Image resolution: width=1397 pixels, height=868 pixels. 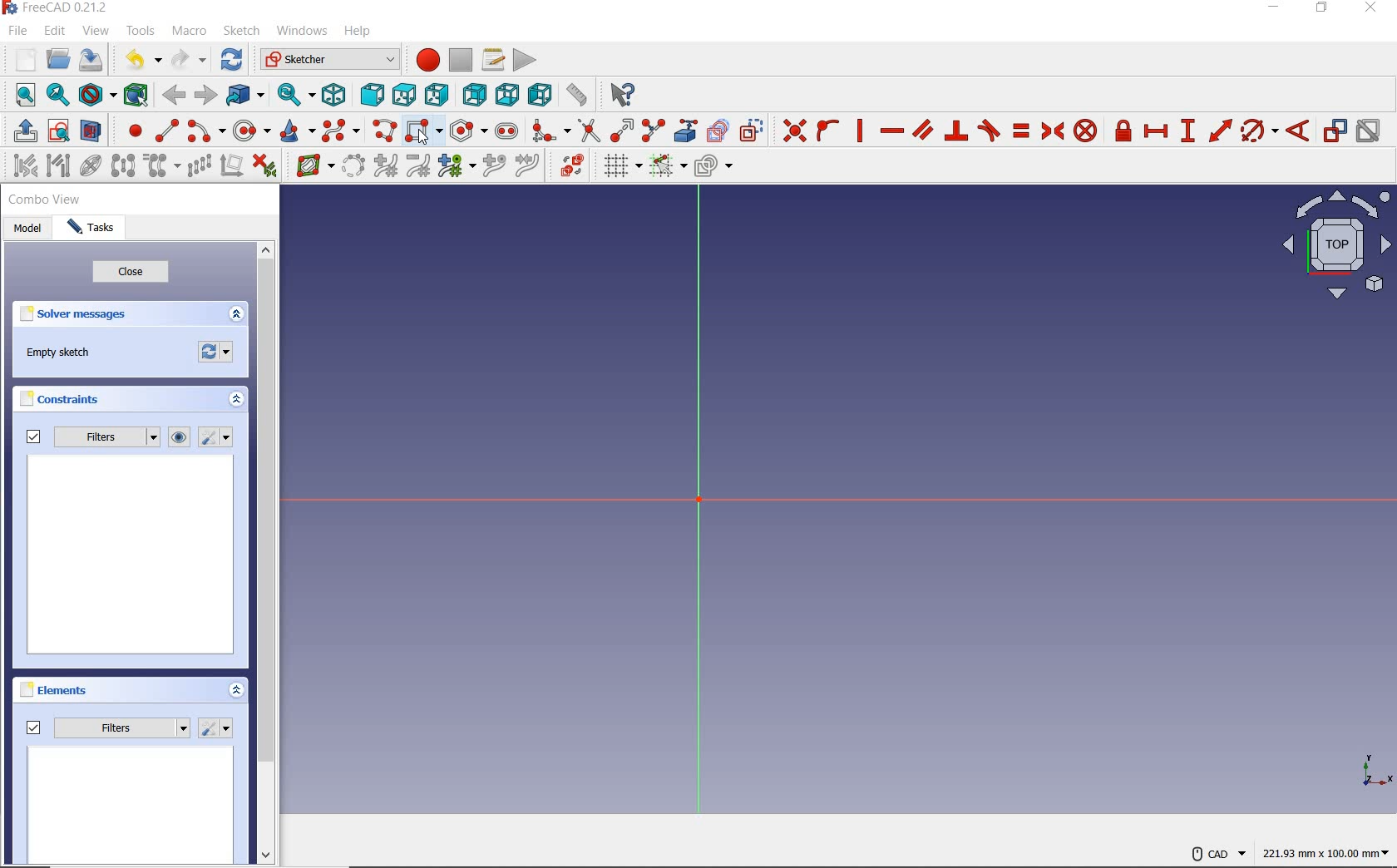 What do you see at coordinates (475, 94) in the screenshot?
I see `rear` at bounding box center [475, 94].